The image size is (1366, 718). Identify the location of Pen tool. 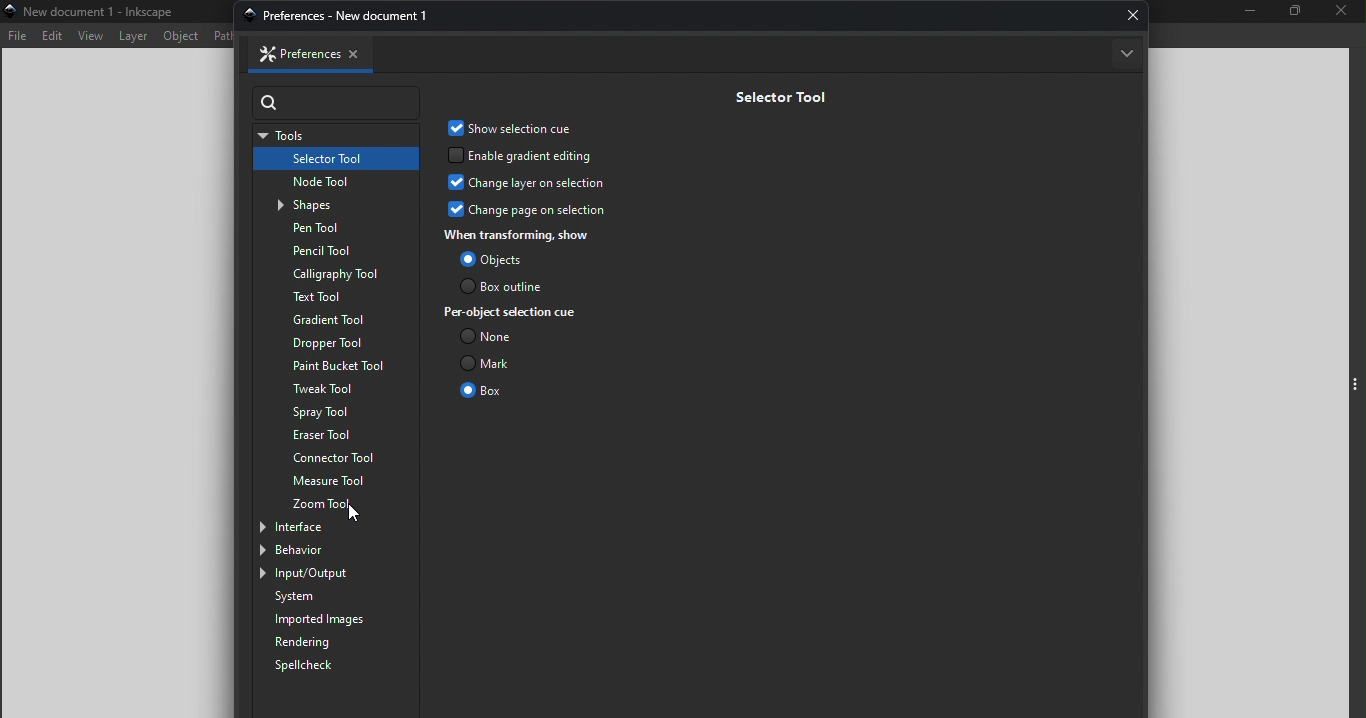
(306, 227).